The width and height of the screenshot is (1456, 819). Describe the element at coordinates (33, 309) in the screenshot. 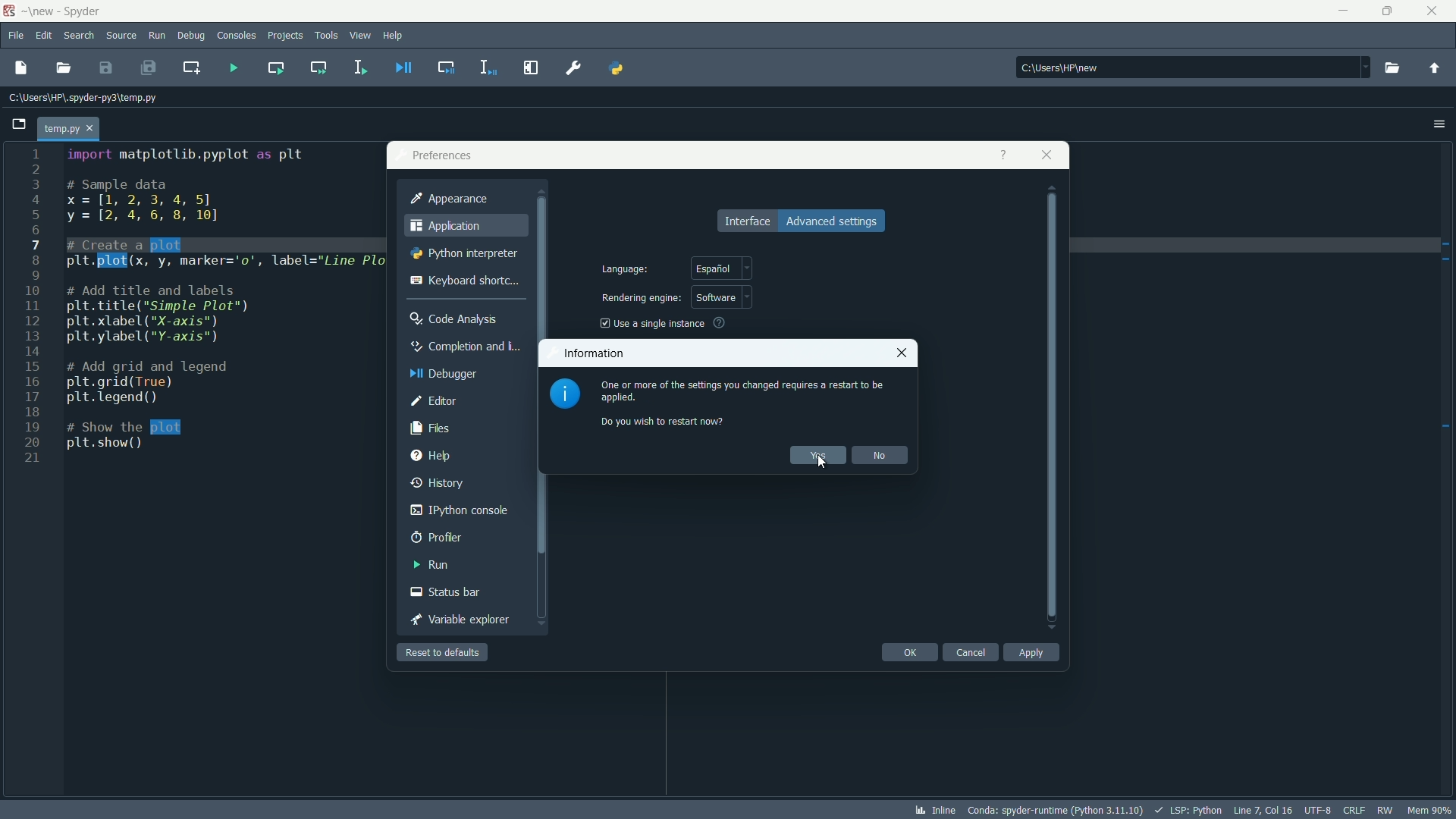

I see `line numbers` at that location.